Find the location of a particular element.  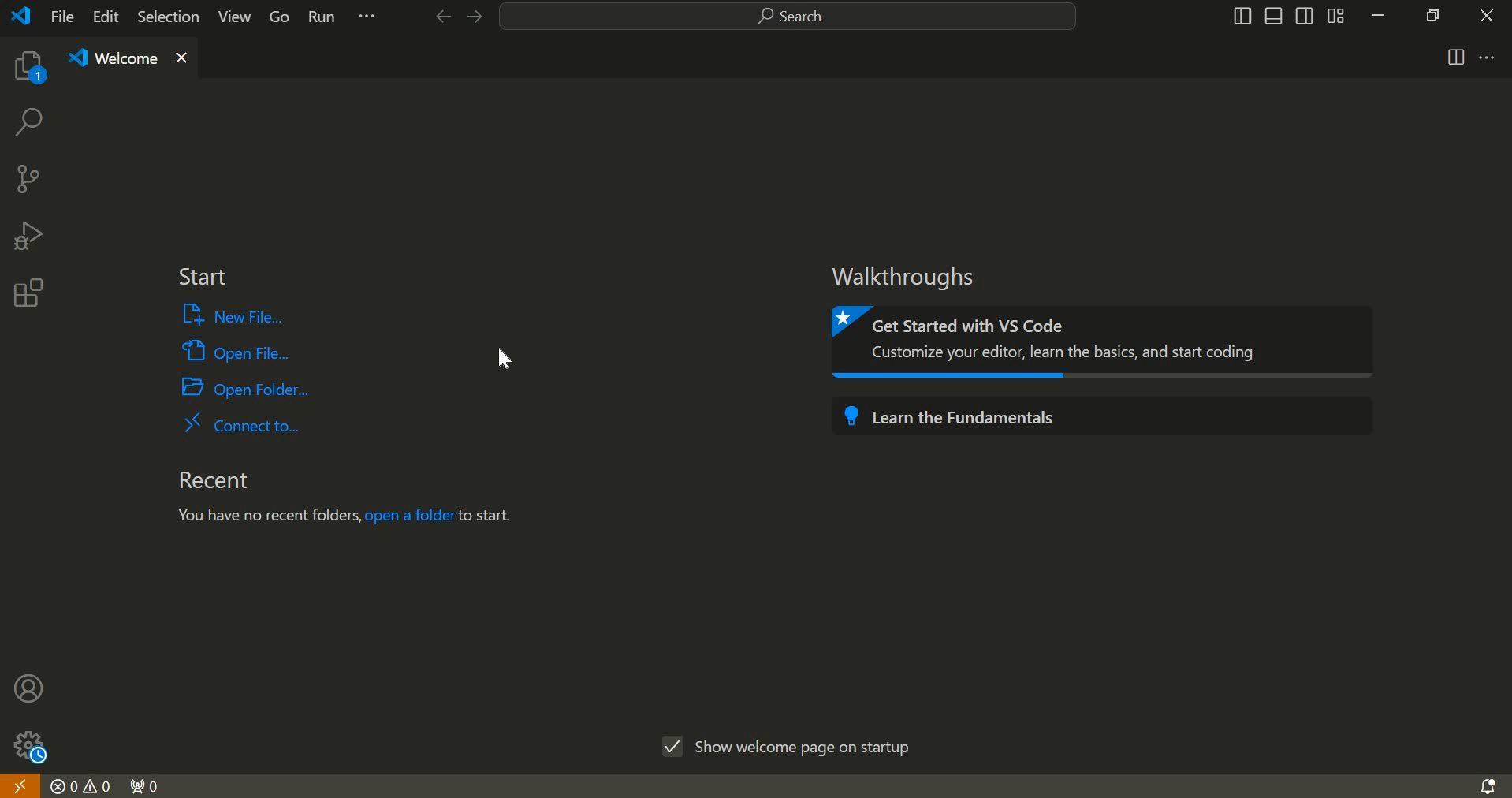

toggle primary sidebar is located at coordinates (1240, 16).